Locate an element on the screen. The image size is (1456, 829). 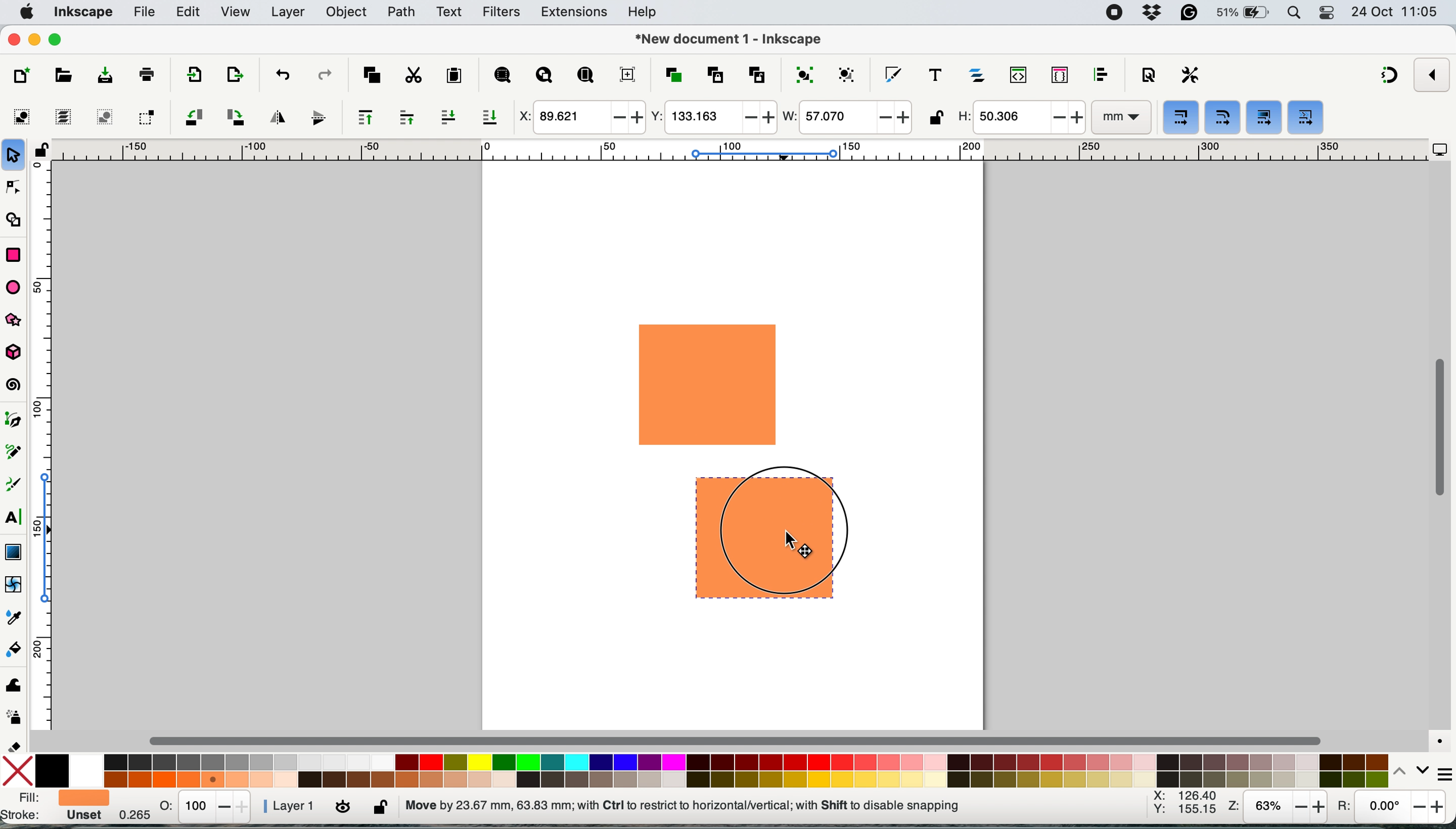
no fill is located at coordinates (20, 769).